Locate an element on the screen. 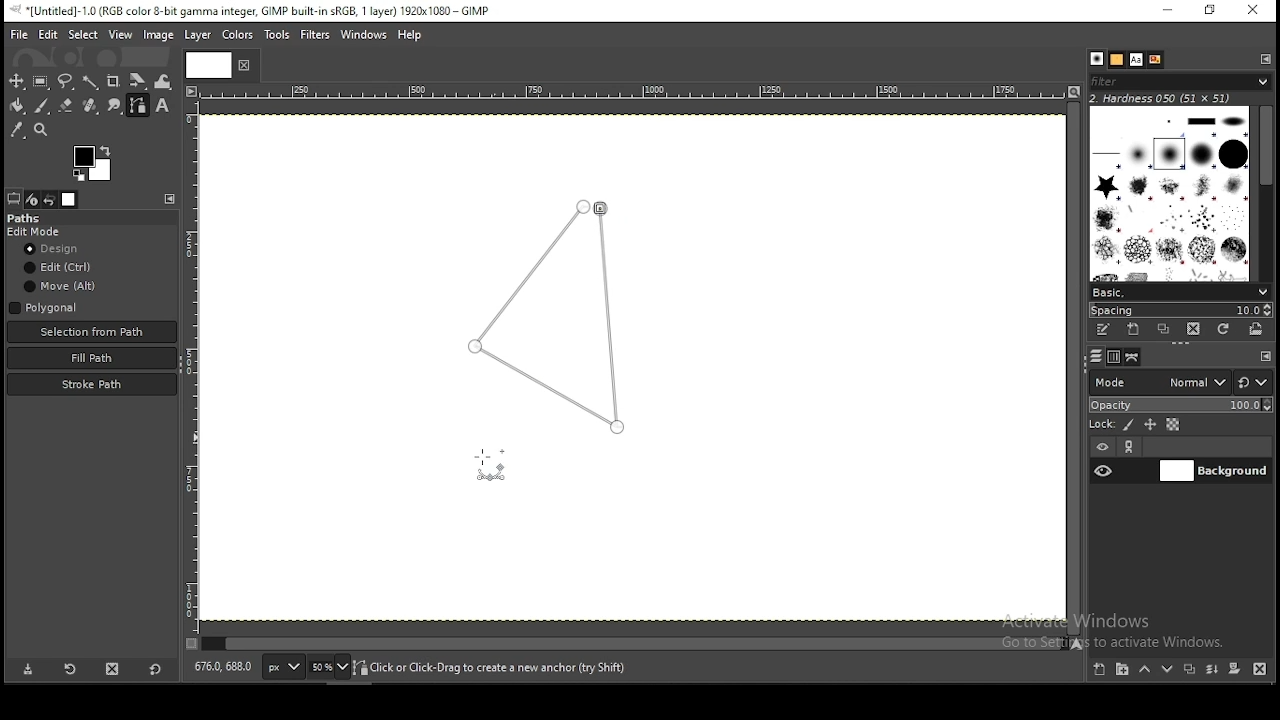  undo history is located at coordinates (50, 199).